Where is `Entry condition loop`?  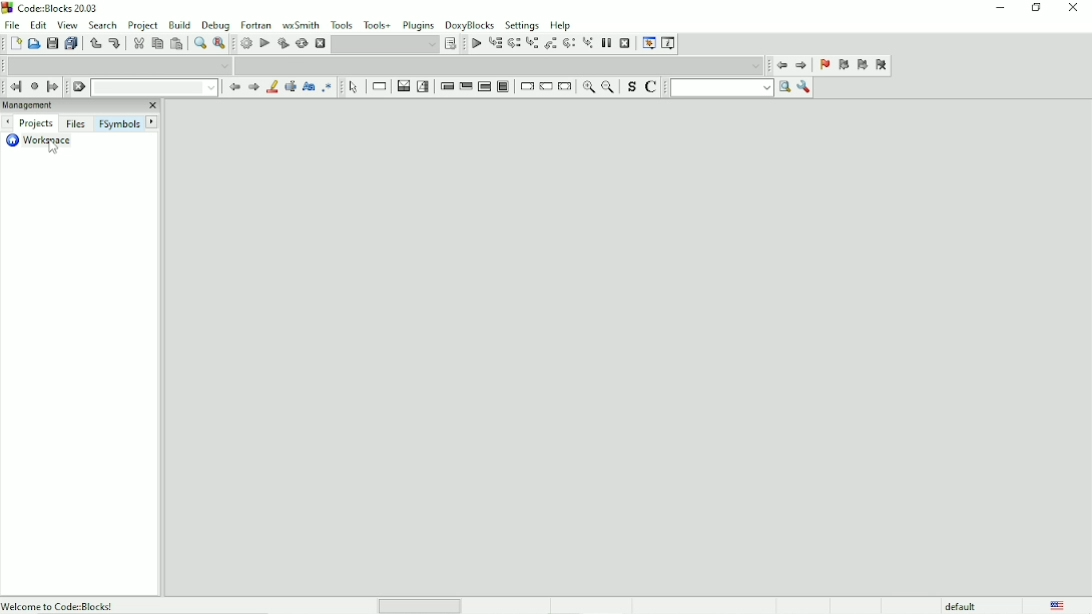
Entry condition loop is located at coordinates (446, 86).